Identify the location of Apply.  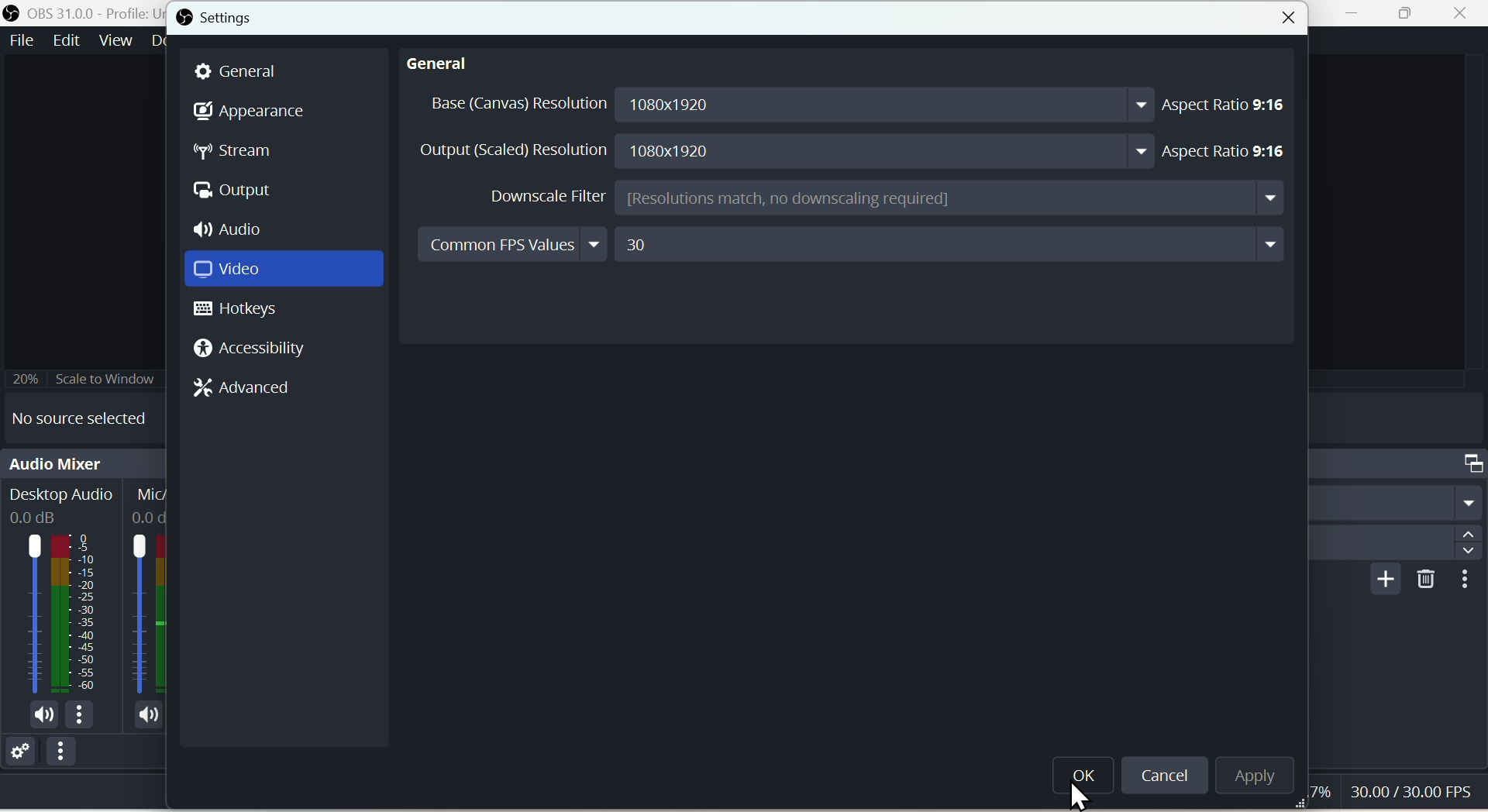
(1249, 773).